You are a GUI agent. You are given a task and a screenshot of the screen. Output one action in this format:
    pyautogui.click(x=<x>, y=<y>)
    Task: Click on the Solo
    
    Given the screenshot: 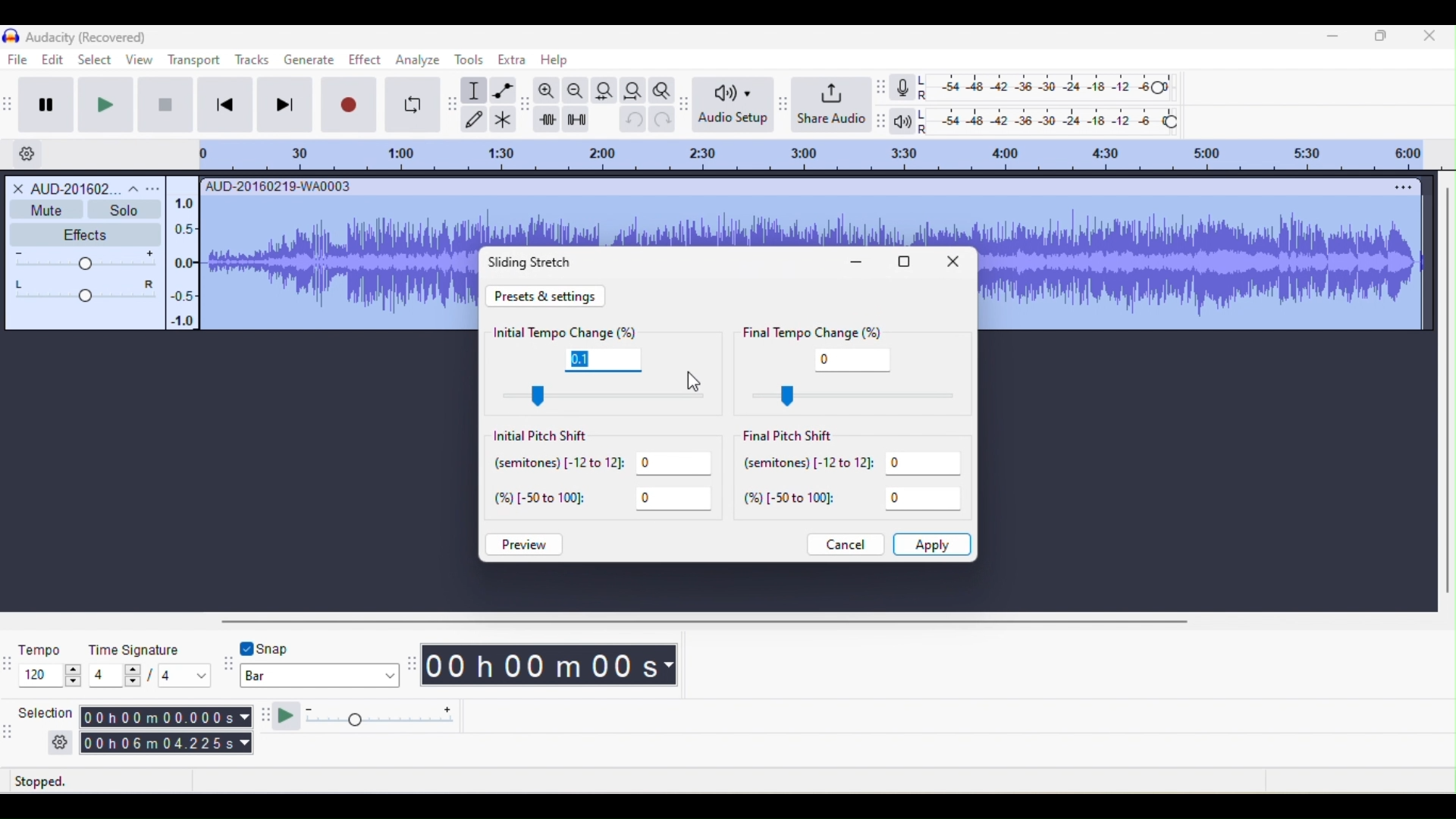 What is the action you would take?
    pyautogui.click(x=124, y=209)
    